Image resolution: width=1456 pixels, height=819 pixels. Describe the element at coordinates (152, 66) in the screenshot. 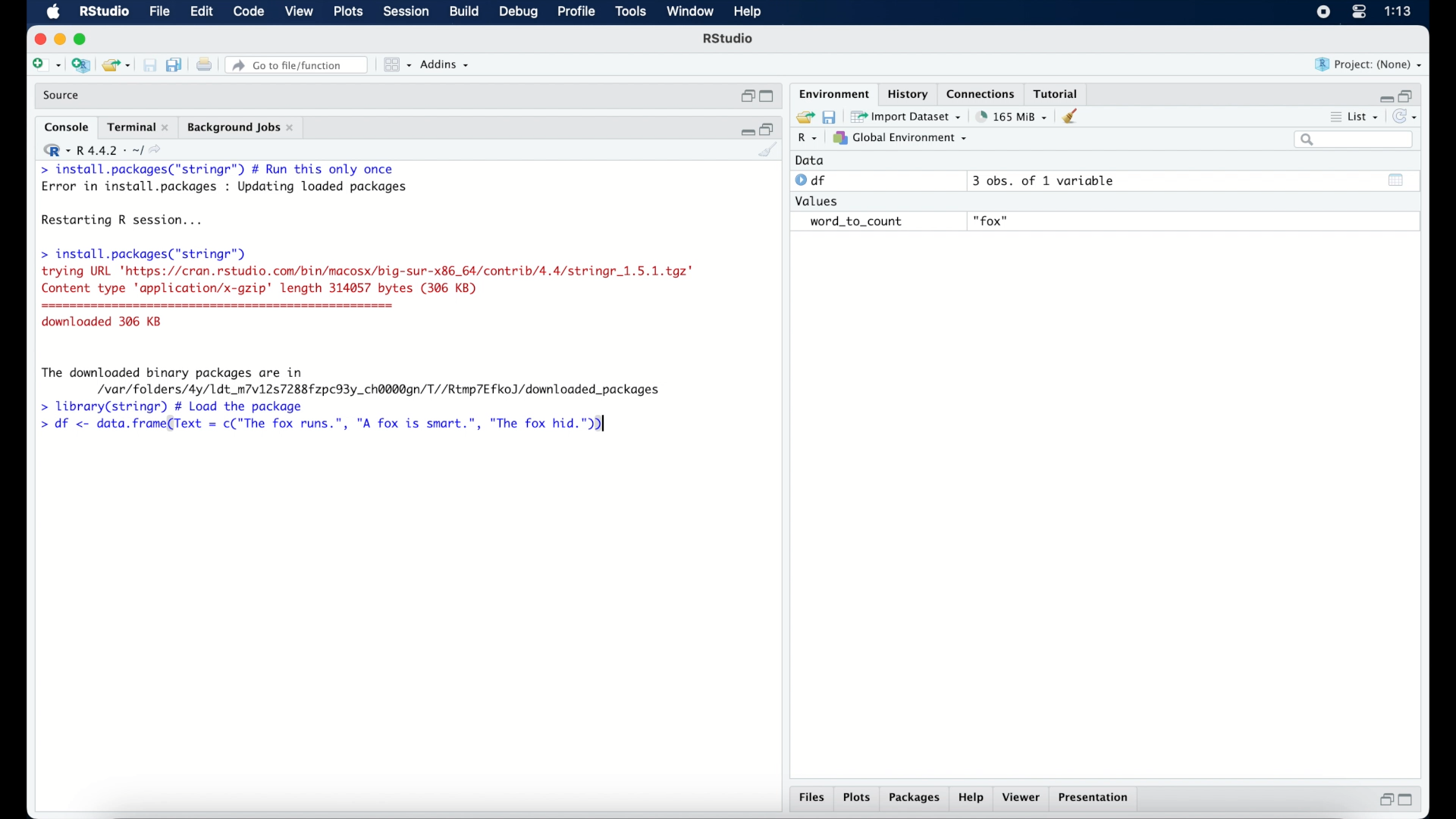

I see `save` at that location.